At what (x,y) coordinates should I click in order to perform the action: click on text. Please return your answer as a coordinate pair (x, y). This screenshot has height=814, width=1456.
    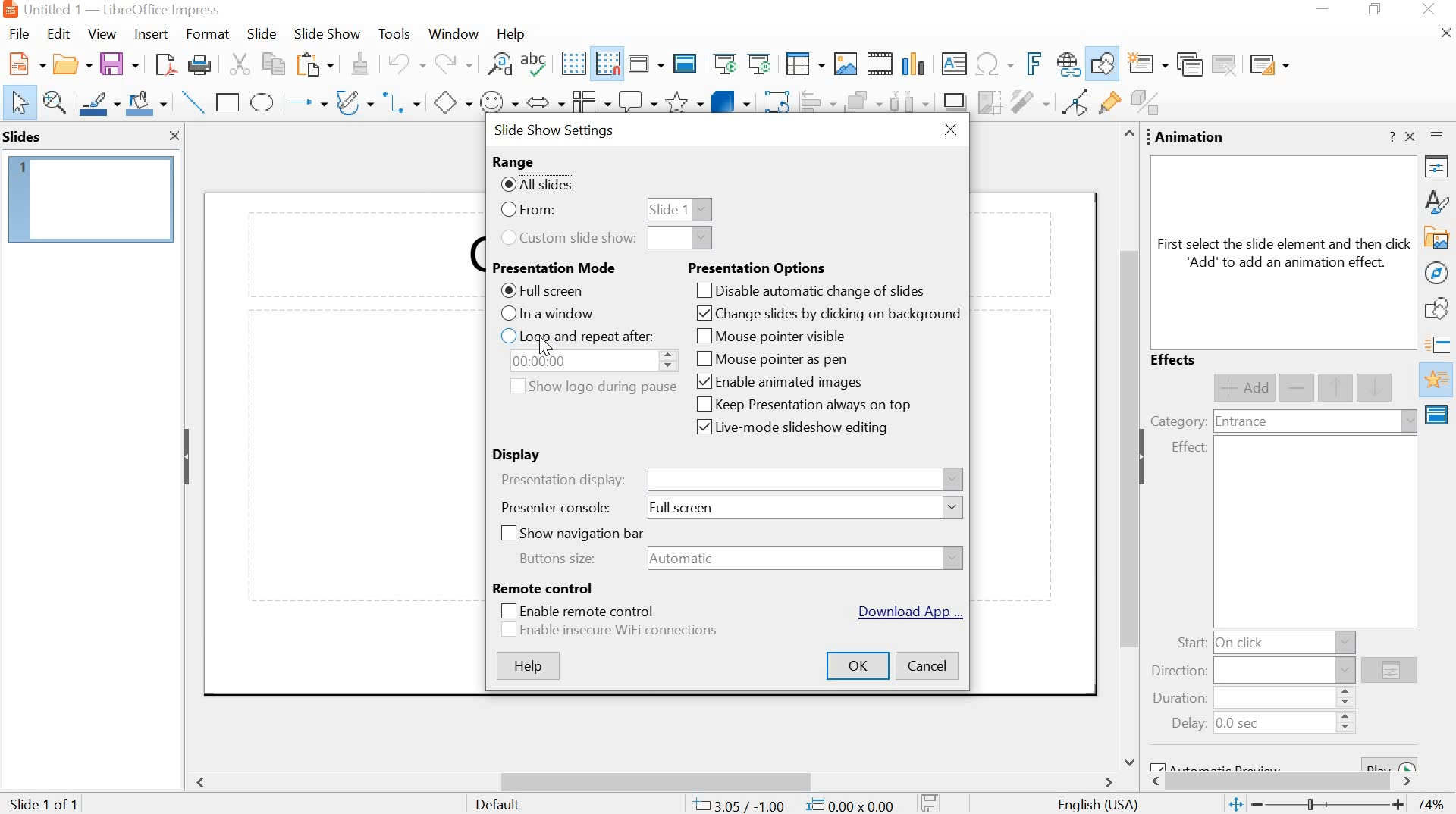
    Looking at the image, I should click on (1285, 253).